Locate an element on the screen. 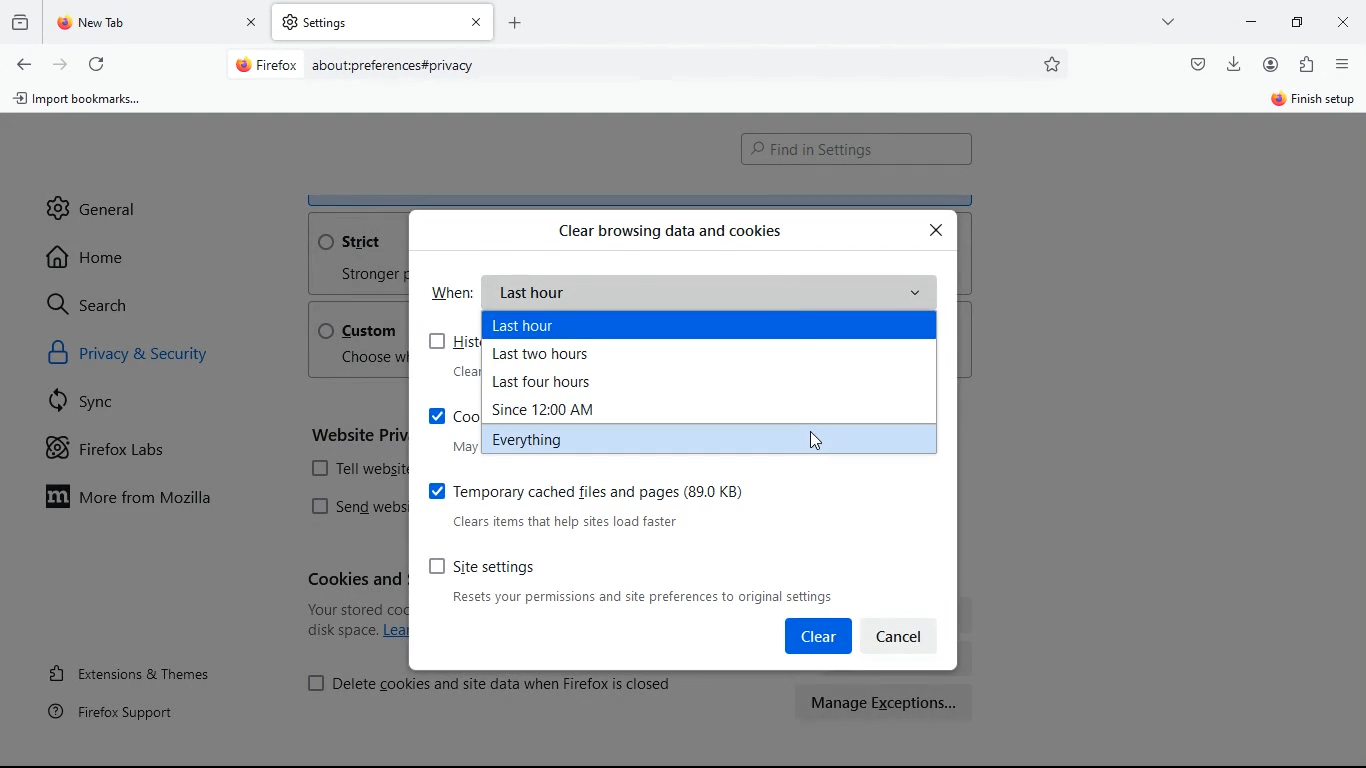 The image size is (1366, 768). sign in is located at coordinates (1311, 101).